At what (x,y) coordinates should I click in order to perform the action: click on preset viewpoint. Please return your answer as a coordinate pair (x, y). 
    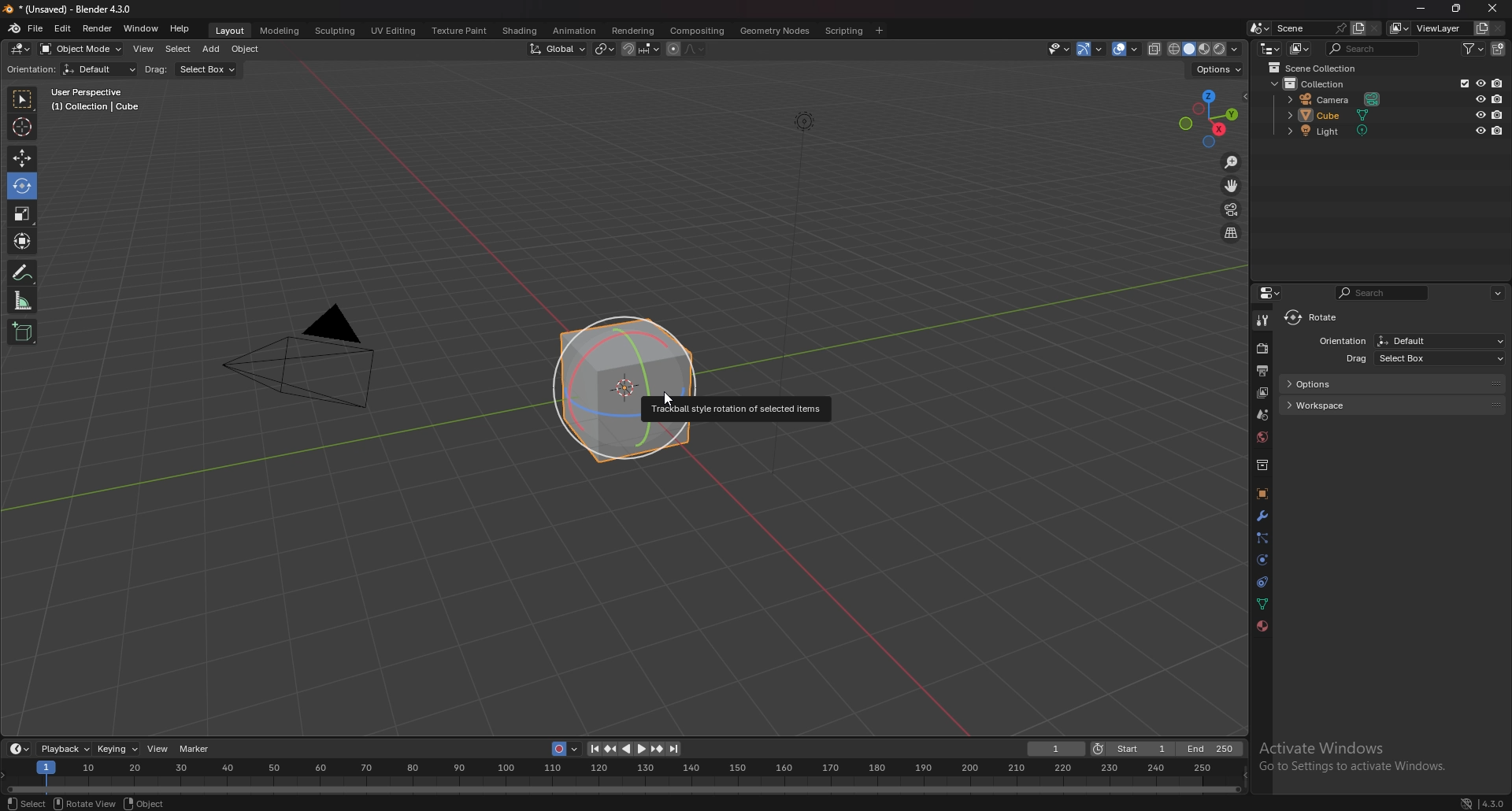
    Looking at the image, I should click on (1211, 117).